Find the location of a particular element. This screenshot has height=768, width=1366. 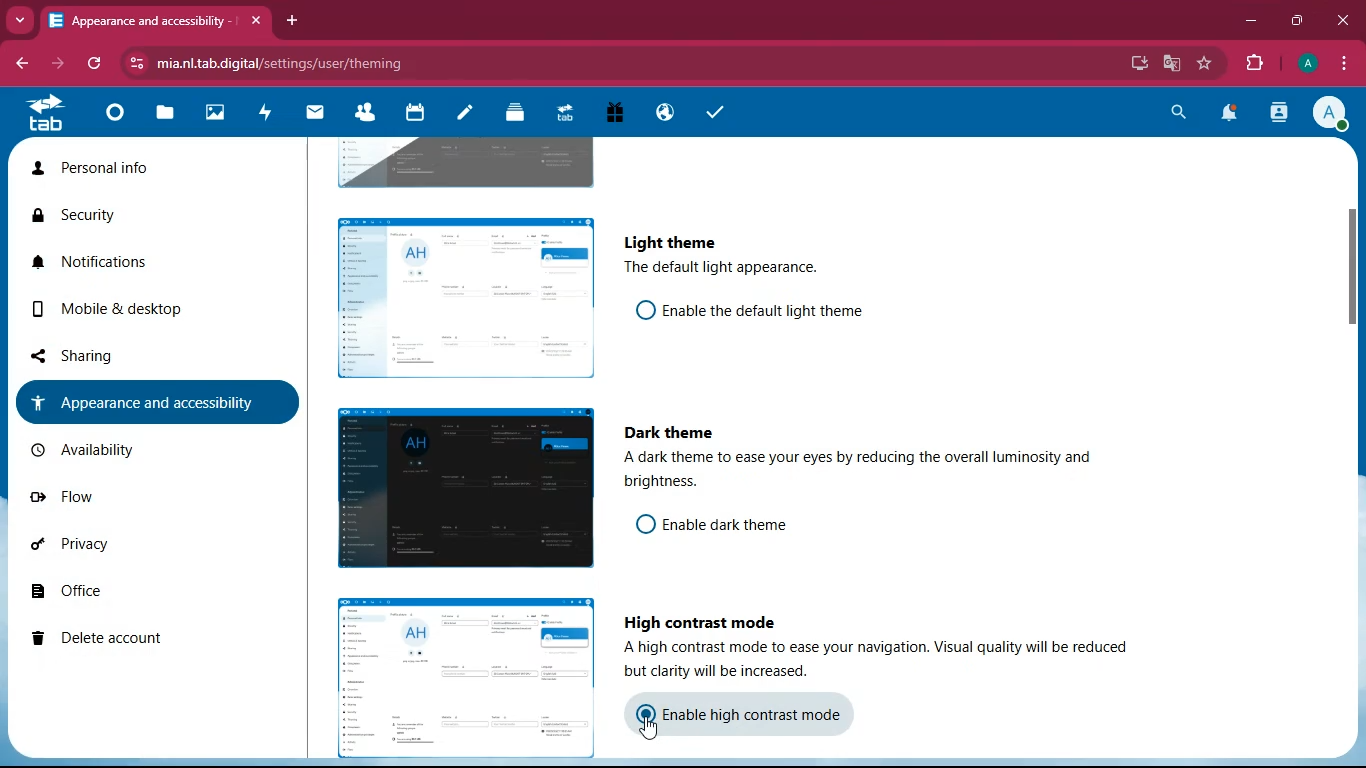

friends is located at coordinates (363, 115).